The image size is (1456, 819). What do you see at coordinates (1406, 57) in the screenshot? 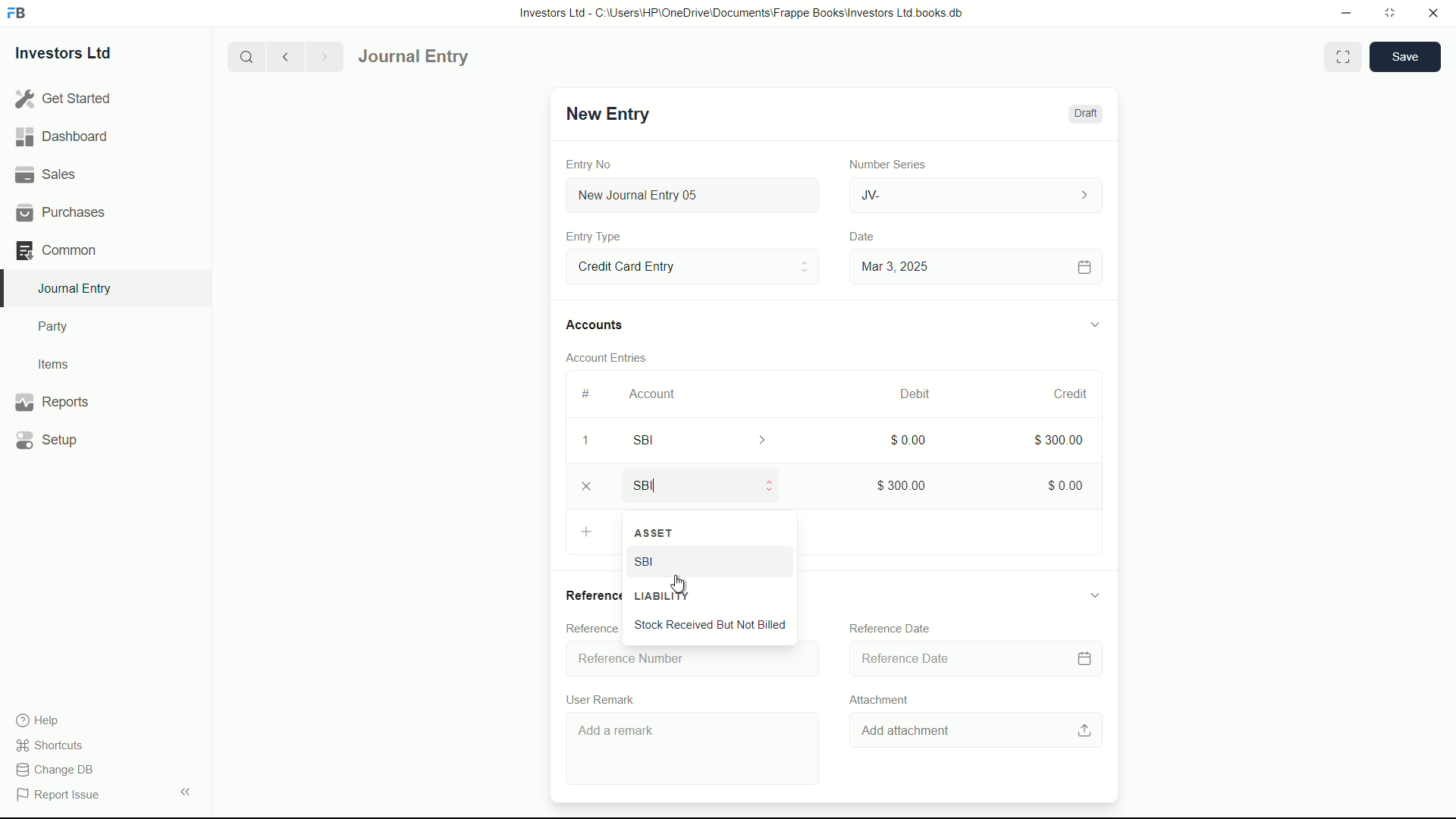
I see `save` at bounding box center [1406, 57].